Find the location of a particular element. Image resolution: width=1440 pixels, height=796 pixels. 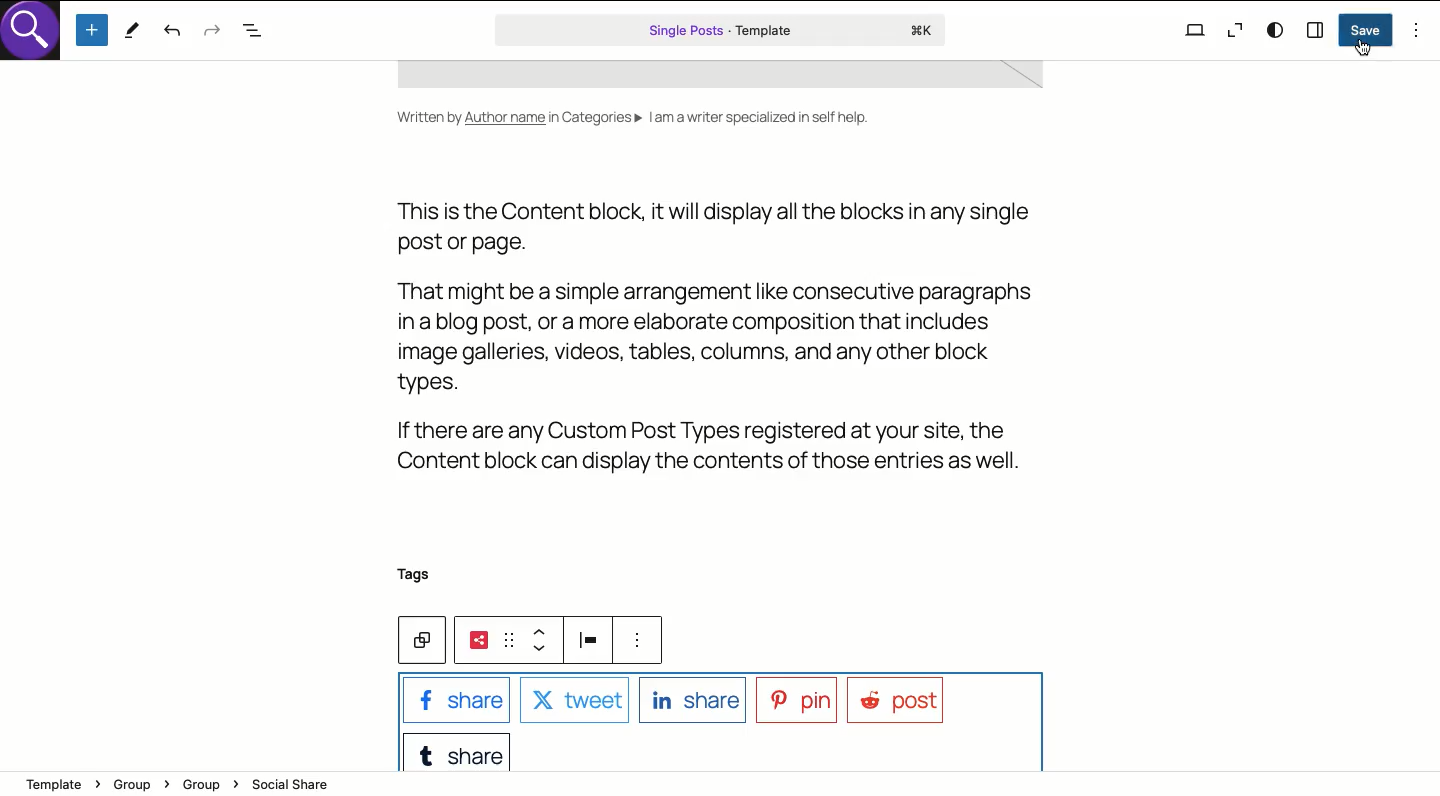

Social share is located at coordinates (480, 641).